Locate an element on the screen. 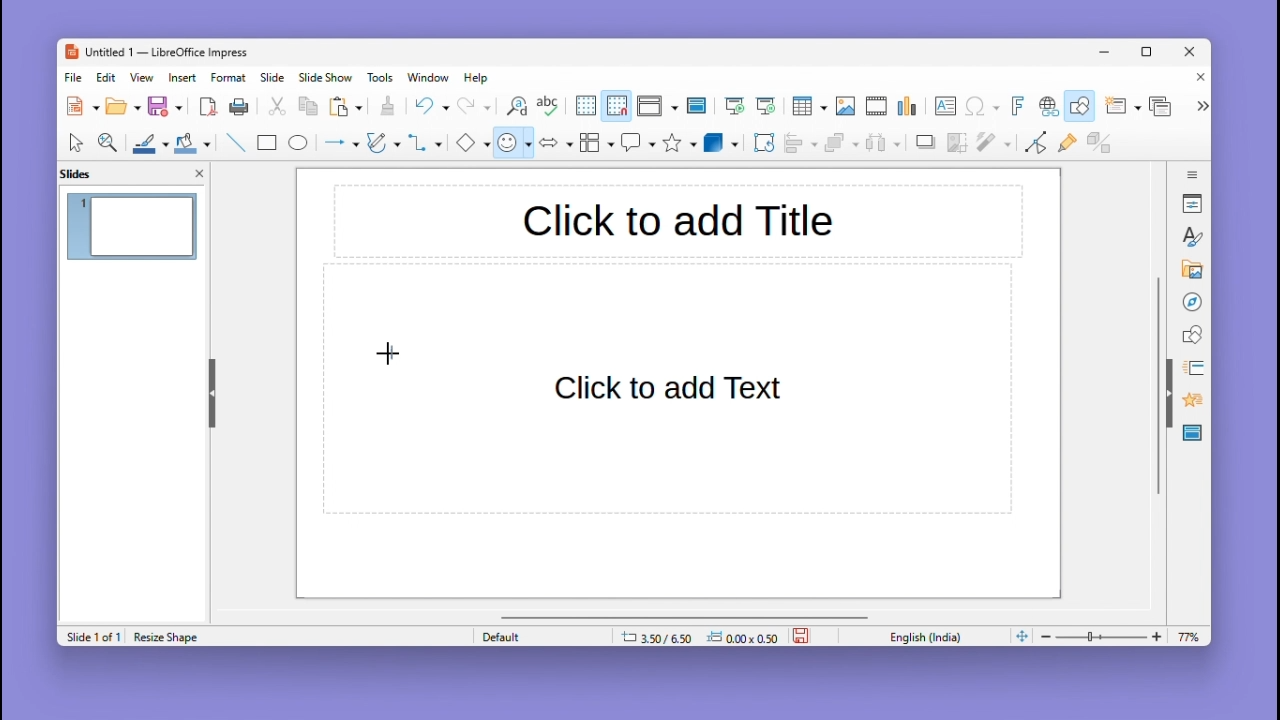 The image size is (1280, 720). Filter is located at coordinates (992, 148).